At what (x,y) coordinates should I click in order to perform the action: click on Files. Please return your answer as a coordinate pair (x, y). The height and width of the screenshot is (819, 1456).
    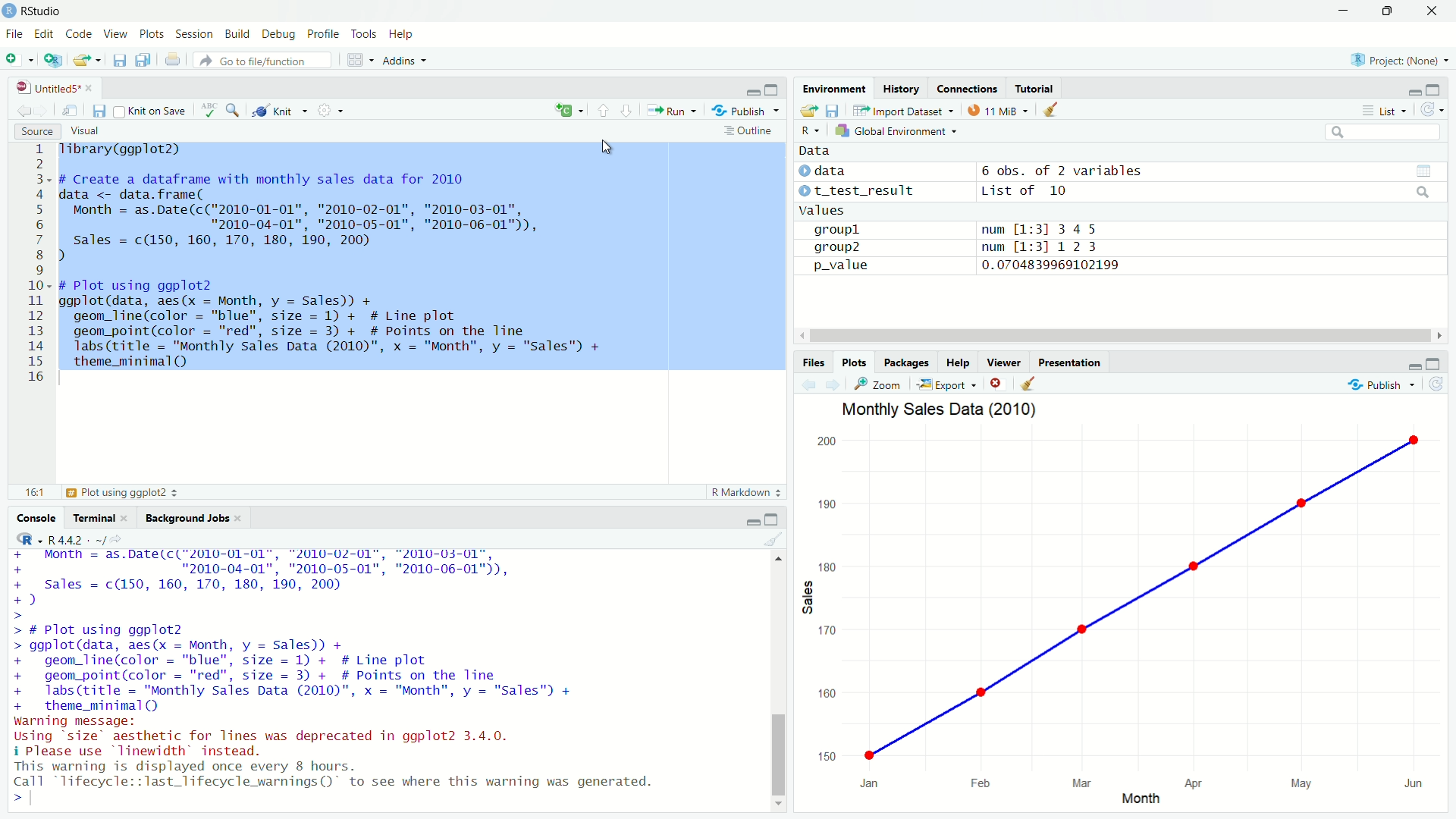
    Looking at the image, I should click on (809, 362).